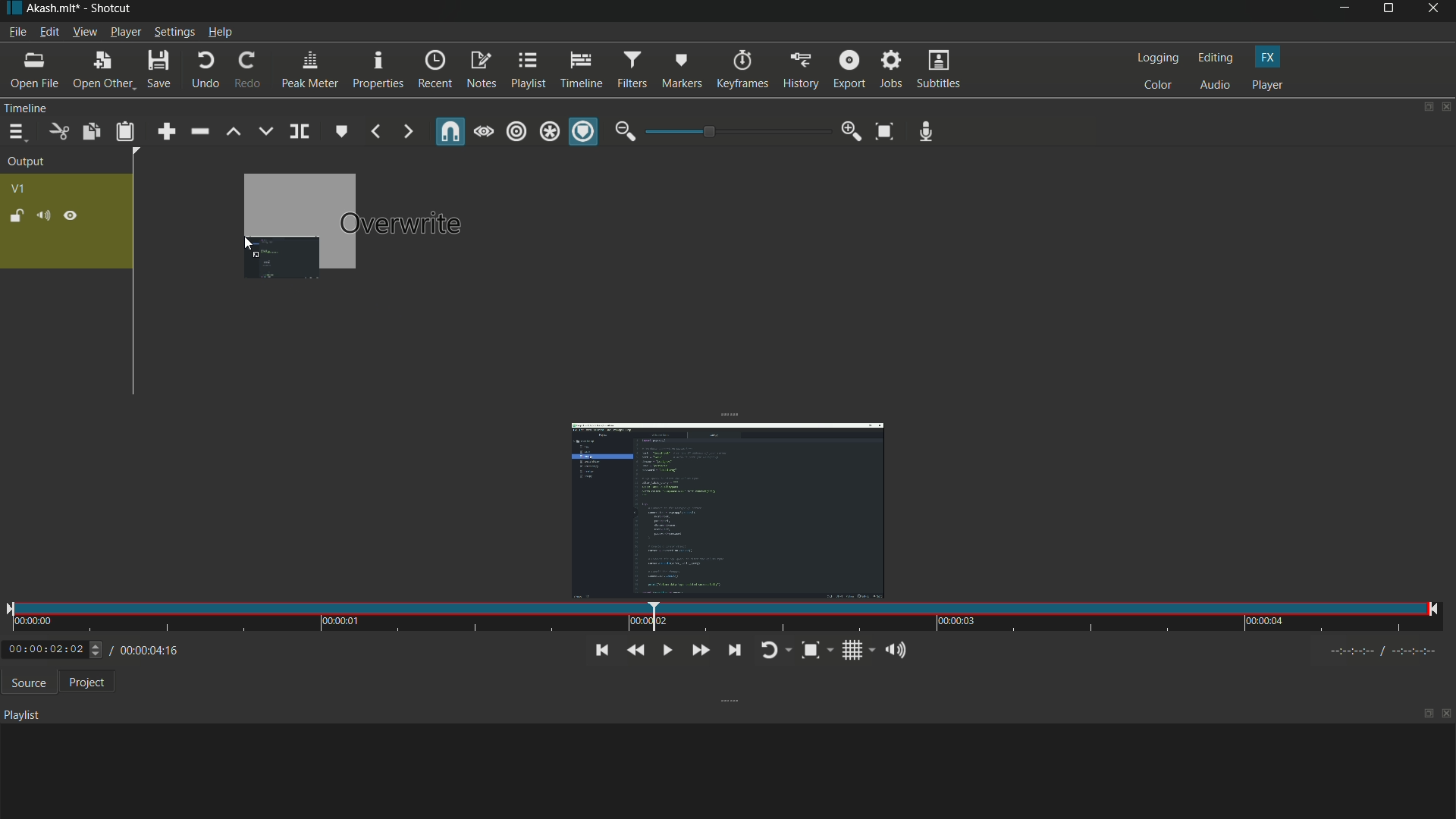 The image size is (1456, 819). I want to click on ripple marker, so click(583, 132).